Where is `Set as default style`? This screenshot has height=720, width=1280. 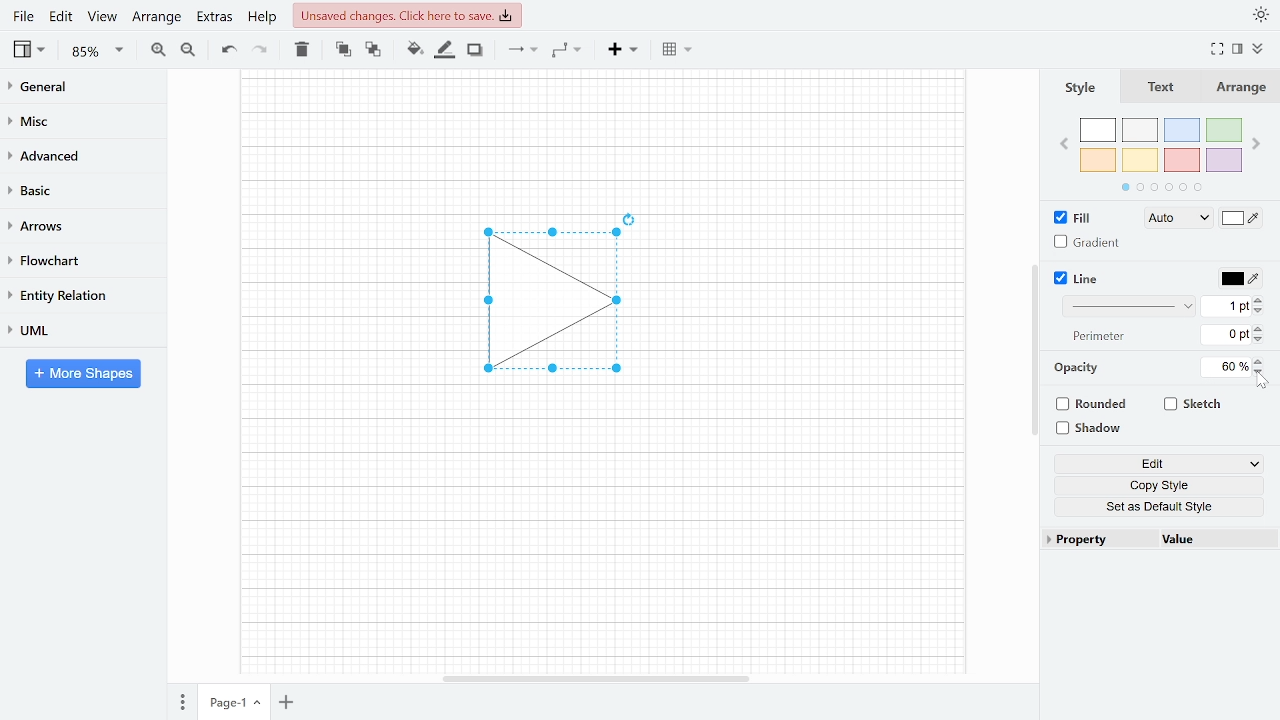
Set as default style is located at coordinates (1162, 506).